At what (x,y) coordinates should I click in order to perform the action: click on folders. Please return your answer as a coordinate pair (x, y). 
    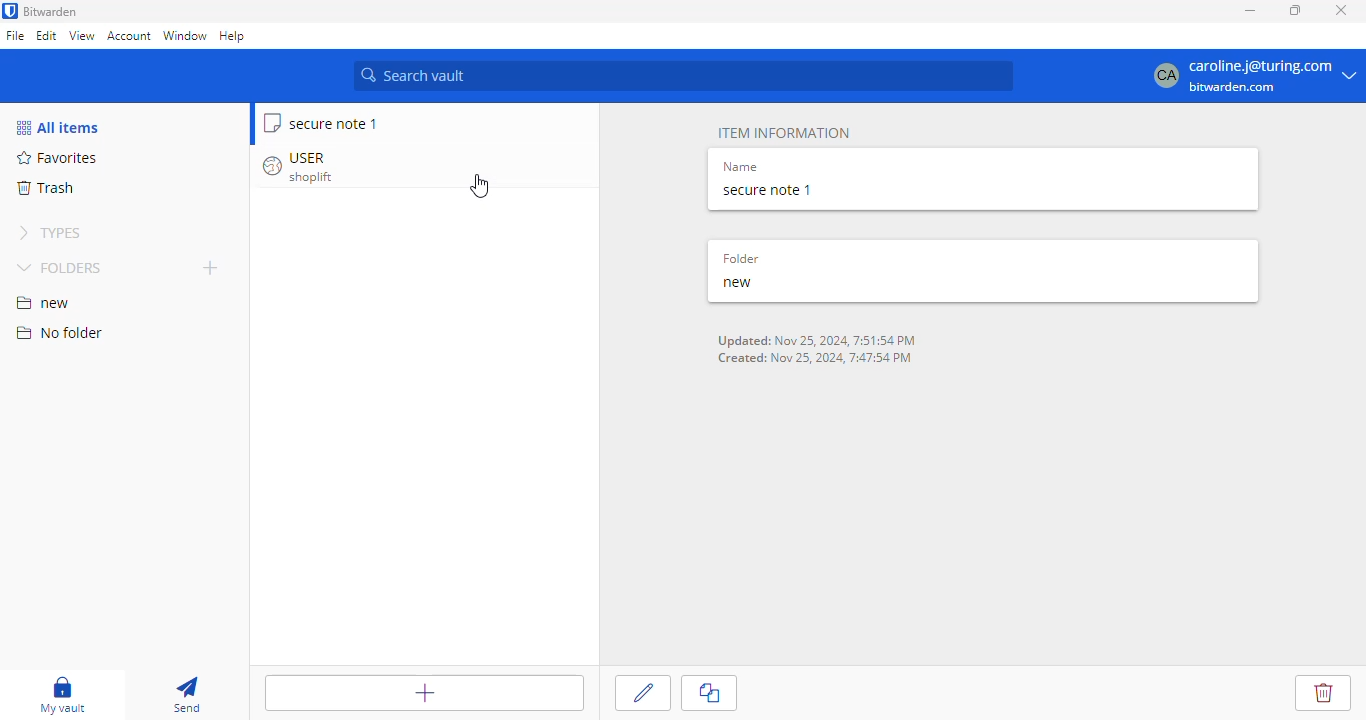
    Looking at the image, I should click on (64, 267).